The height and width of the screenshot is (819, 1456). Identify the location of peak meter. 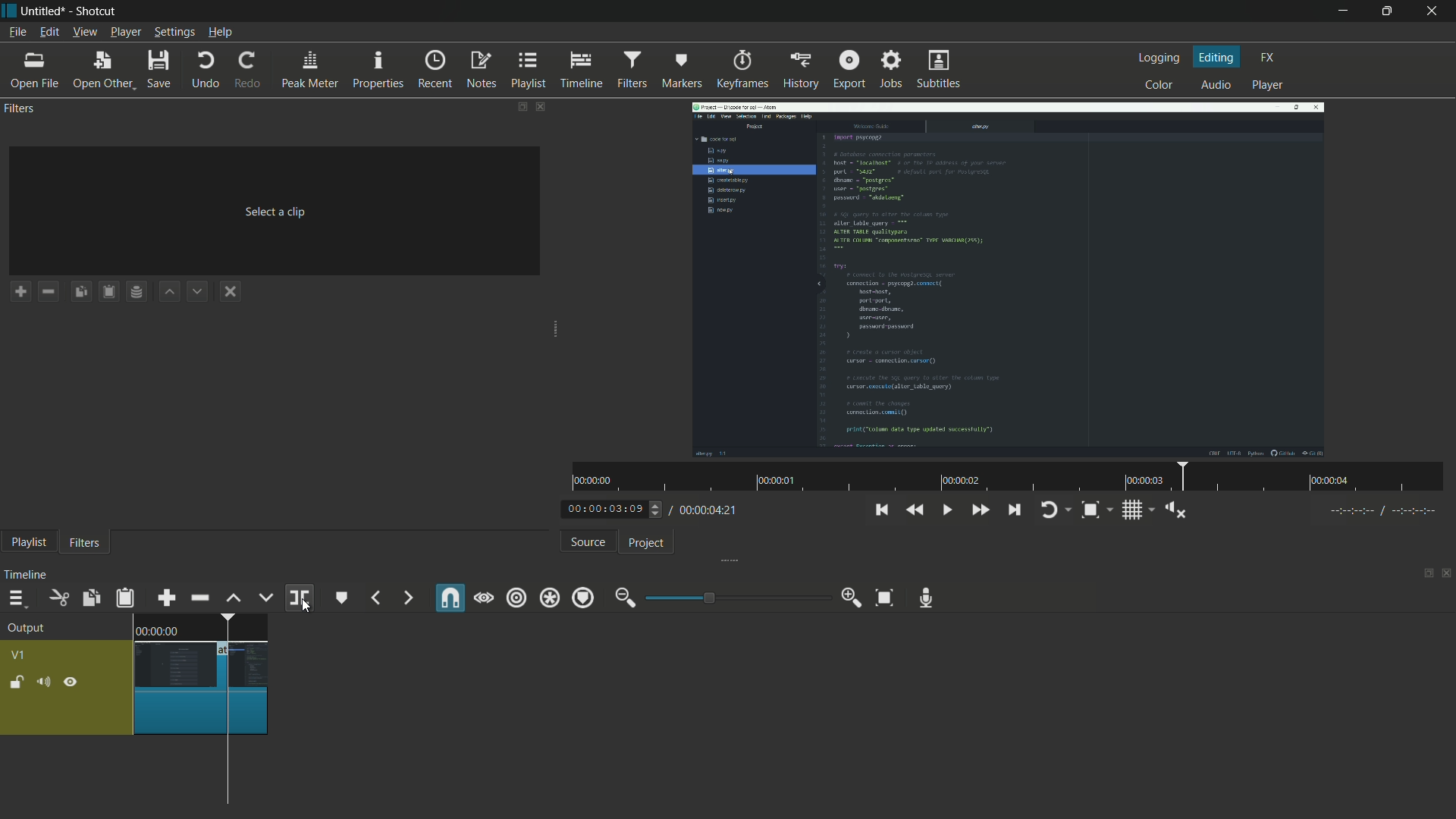
(310, 71).